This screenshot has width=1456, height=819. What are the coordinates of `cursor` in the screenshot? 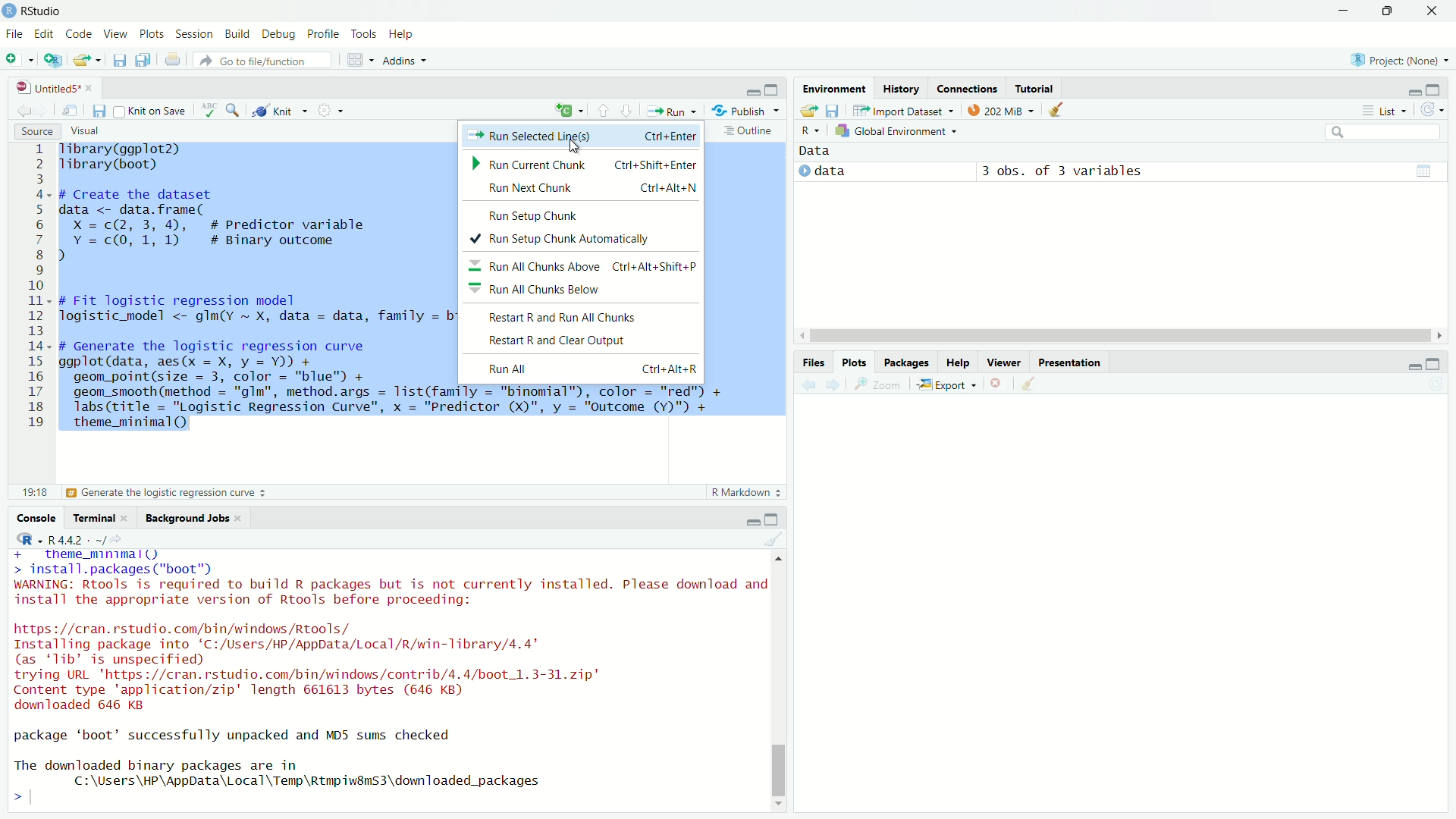 It's located at (576, 147).